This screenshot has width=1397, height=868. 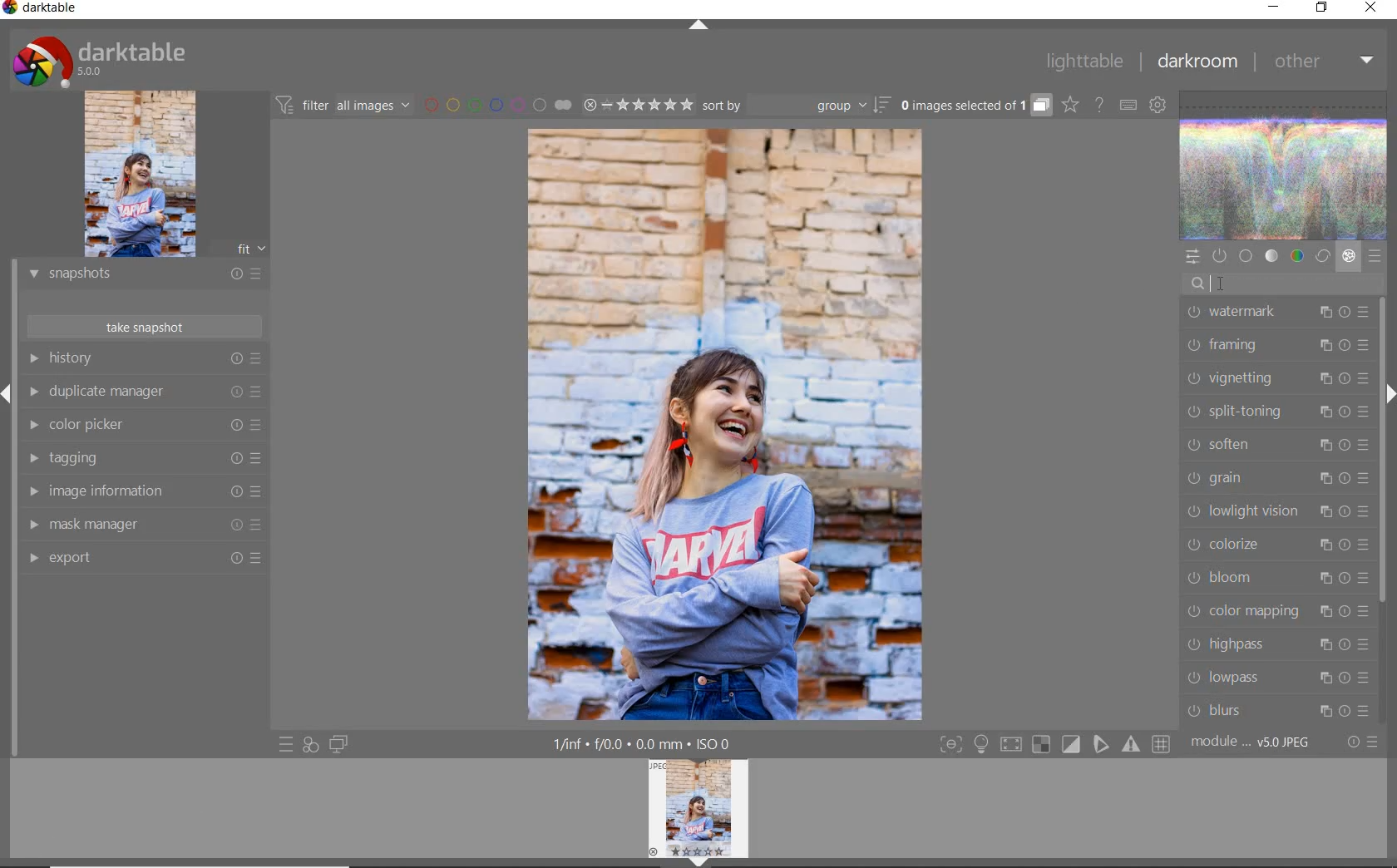 What do you see at coordinates (144, 277) in the screenshot?
I see `snapshots` at bounding box center [144, 277].